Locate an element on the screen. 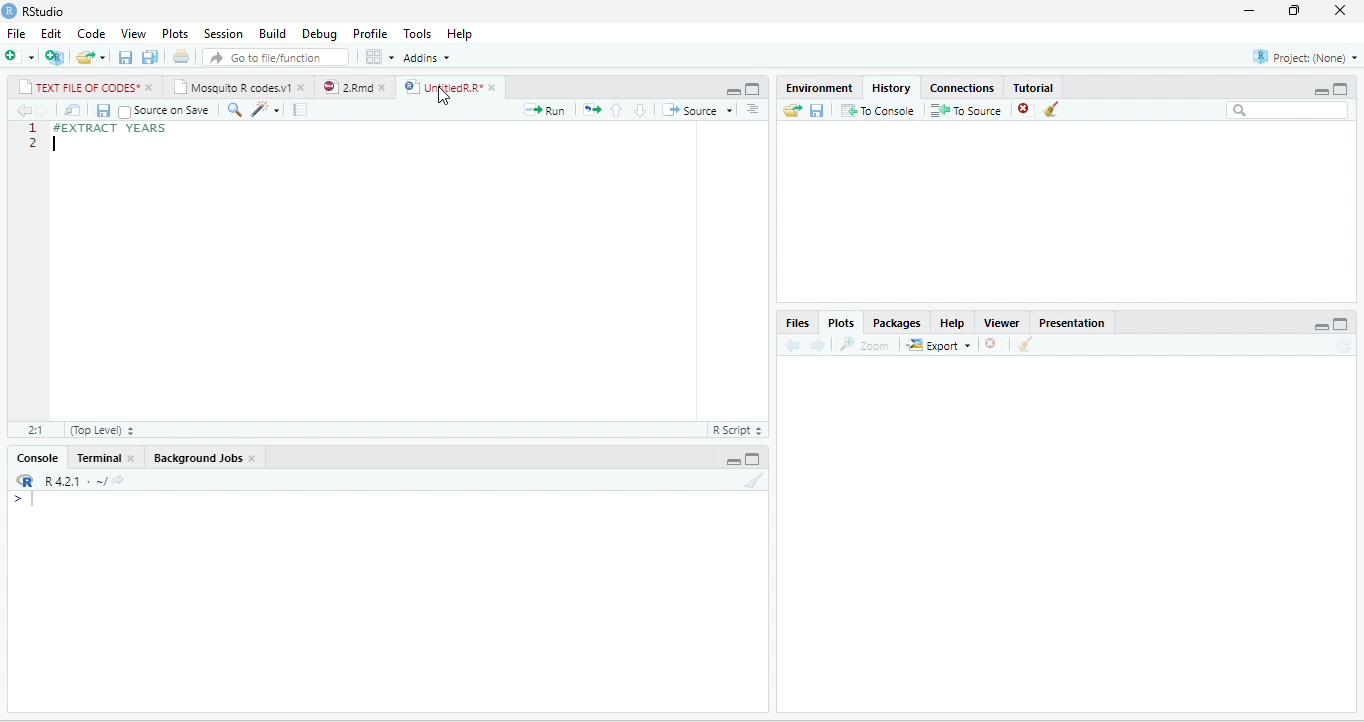 The width and height of the screenshot is (1364, 722). To Console is located at coordinates (877, 110).